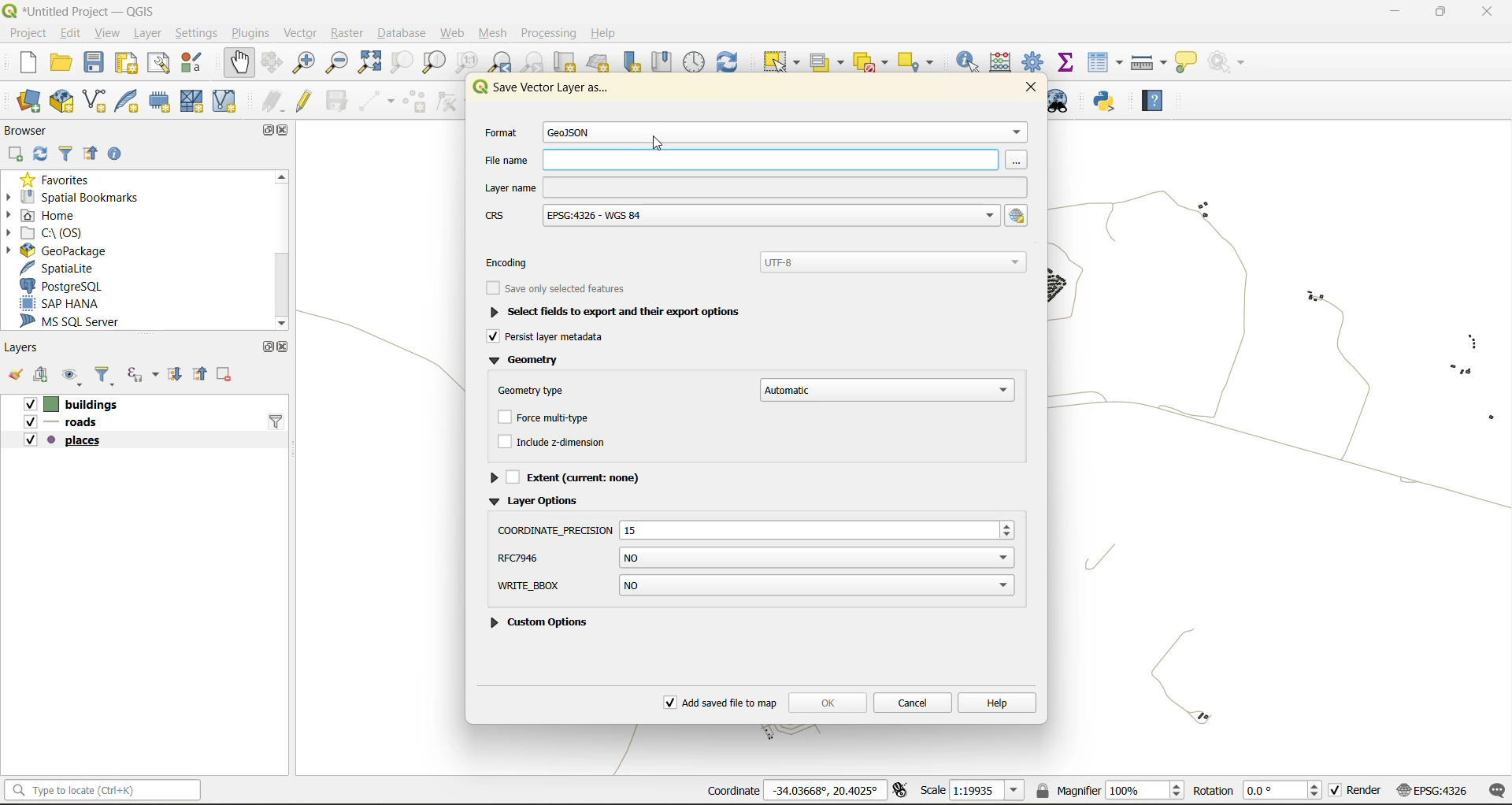  What do you see at coordinates (830, 61) in the screenshot?
I see `select value` at bounding box center [830, 61].